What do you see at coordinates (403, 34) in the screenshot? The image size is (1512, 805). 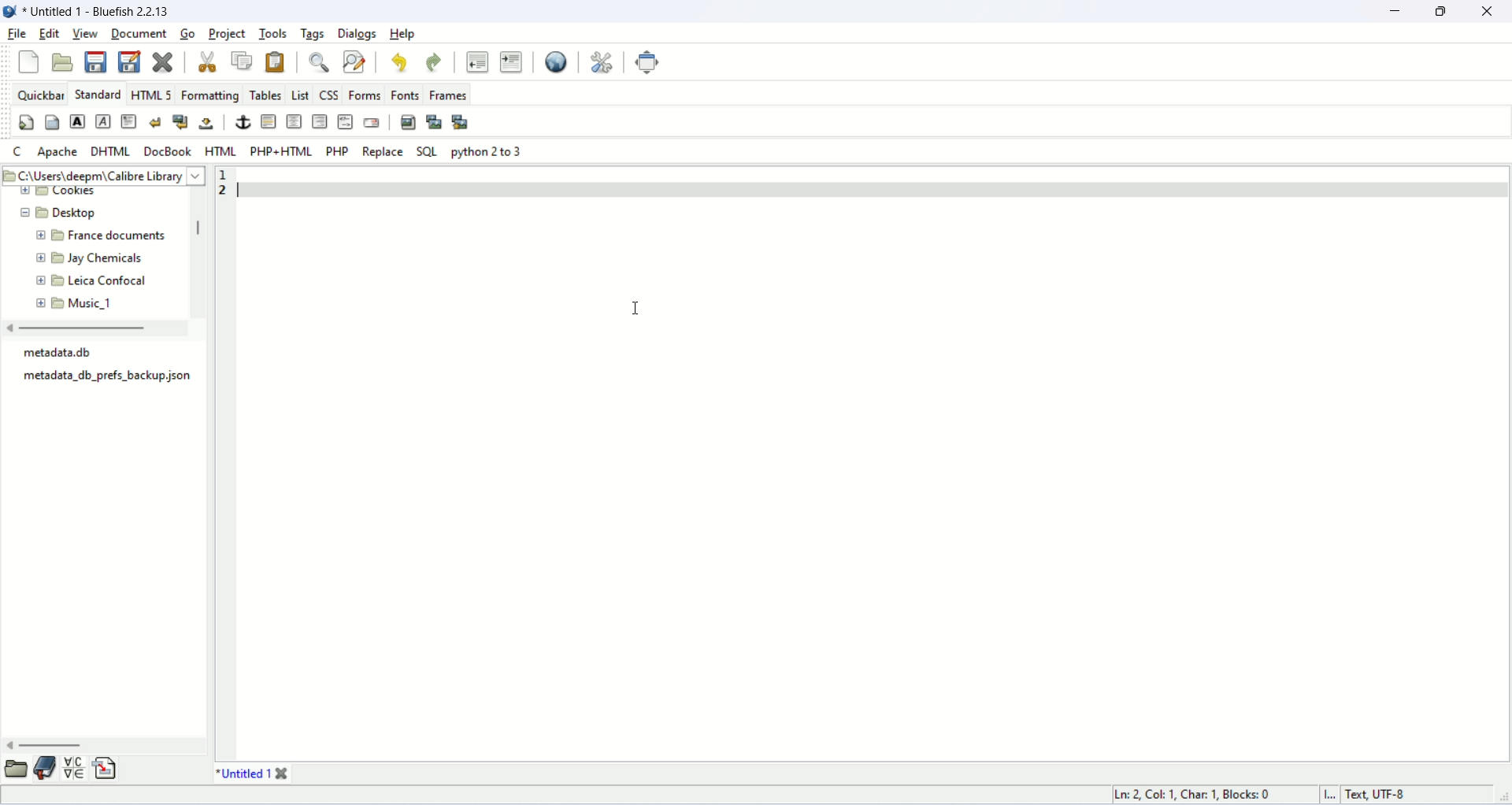 I see `help` at bounding box center [403, 34].